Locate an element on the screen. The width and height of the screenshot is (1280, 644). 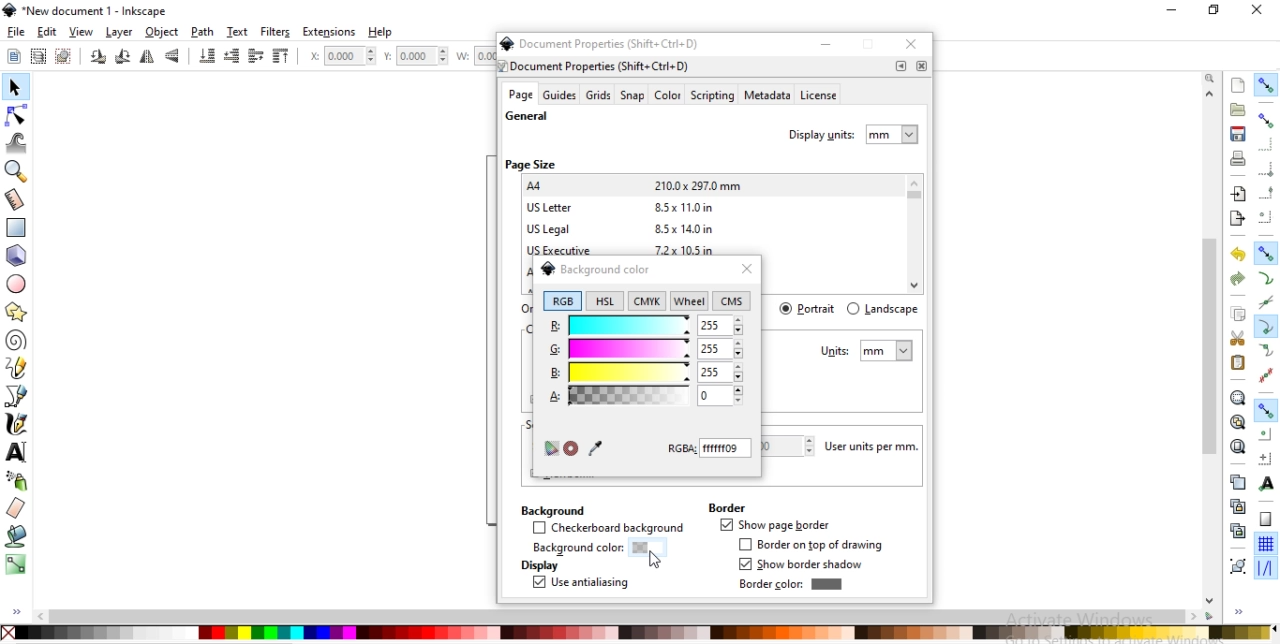
cursor is located at coordinates (656, 562).